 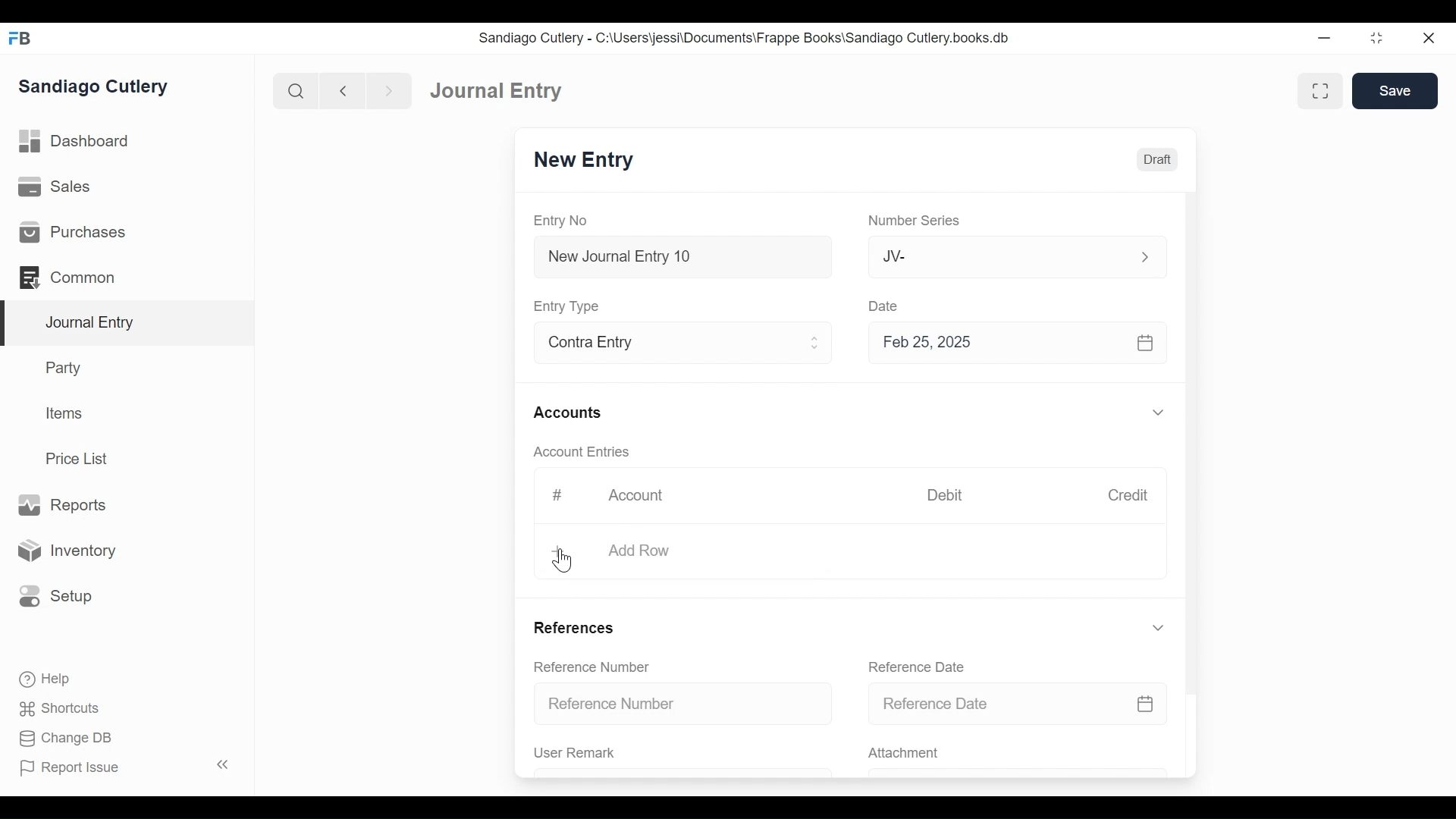 What do you see at coordinates (816, 345) in the screenshot?
I see `Expand` at bounding box center [816, 345].